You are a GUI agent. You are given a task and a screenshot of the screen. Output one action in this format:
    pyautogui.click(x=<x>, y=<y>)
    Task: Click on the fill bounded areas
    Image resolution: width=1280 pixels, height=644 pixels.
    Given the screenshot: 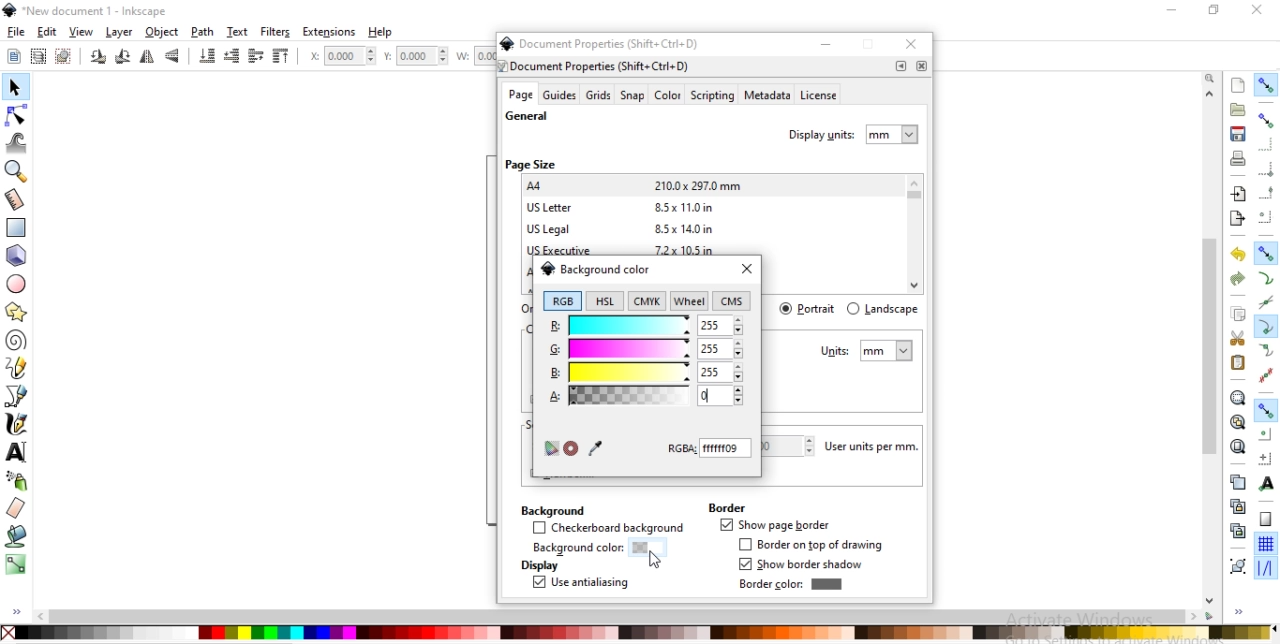 What is the action you would take?
    pyautogui.click(x=16, y=536)
    